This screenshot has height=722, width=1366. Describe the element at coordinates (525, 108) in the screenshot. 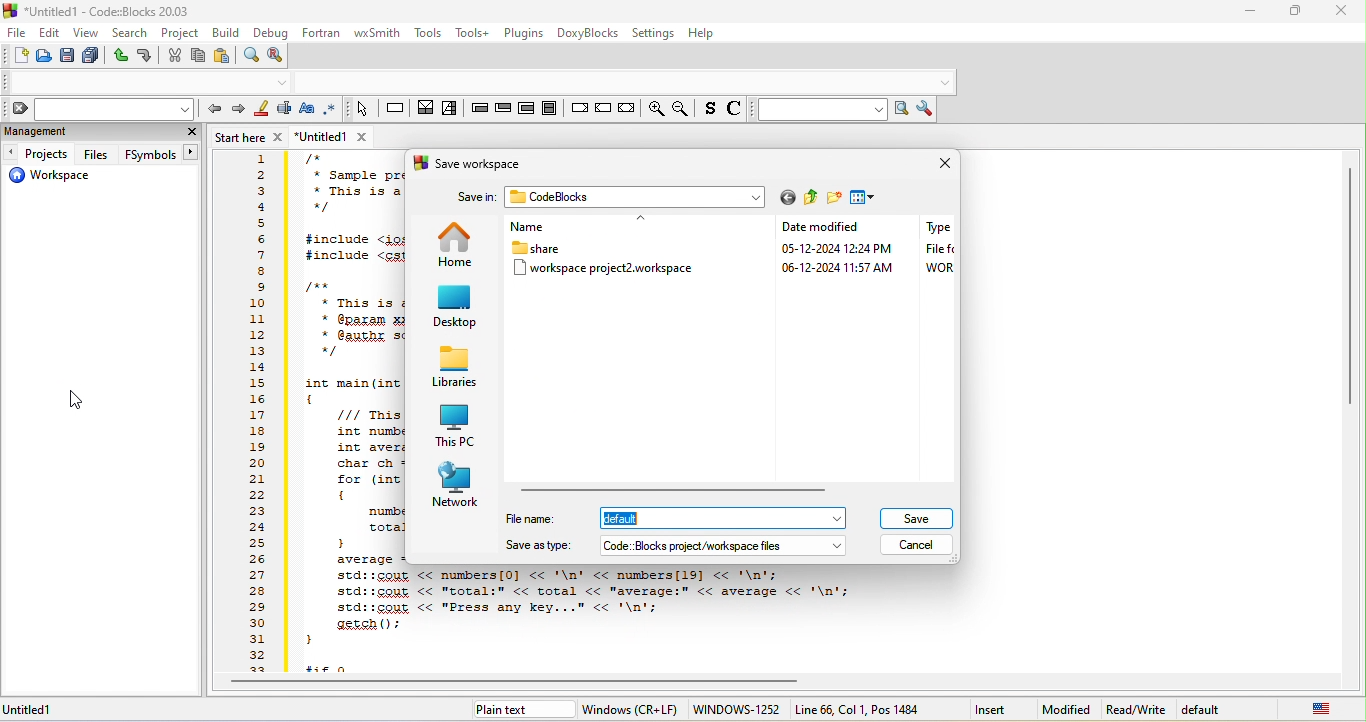

I see `counting loop` at that location.